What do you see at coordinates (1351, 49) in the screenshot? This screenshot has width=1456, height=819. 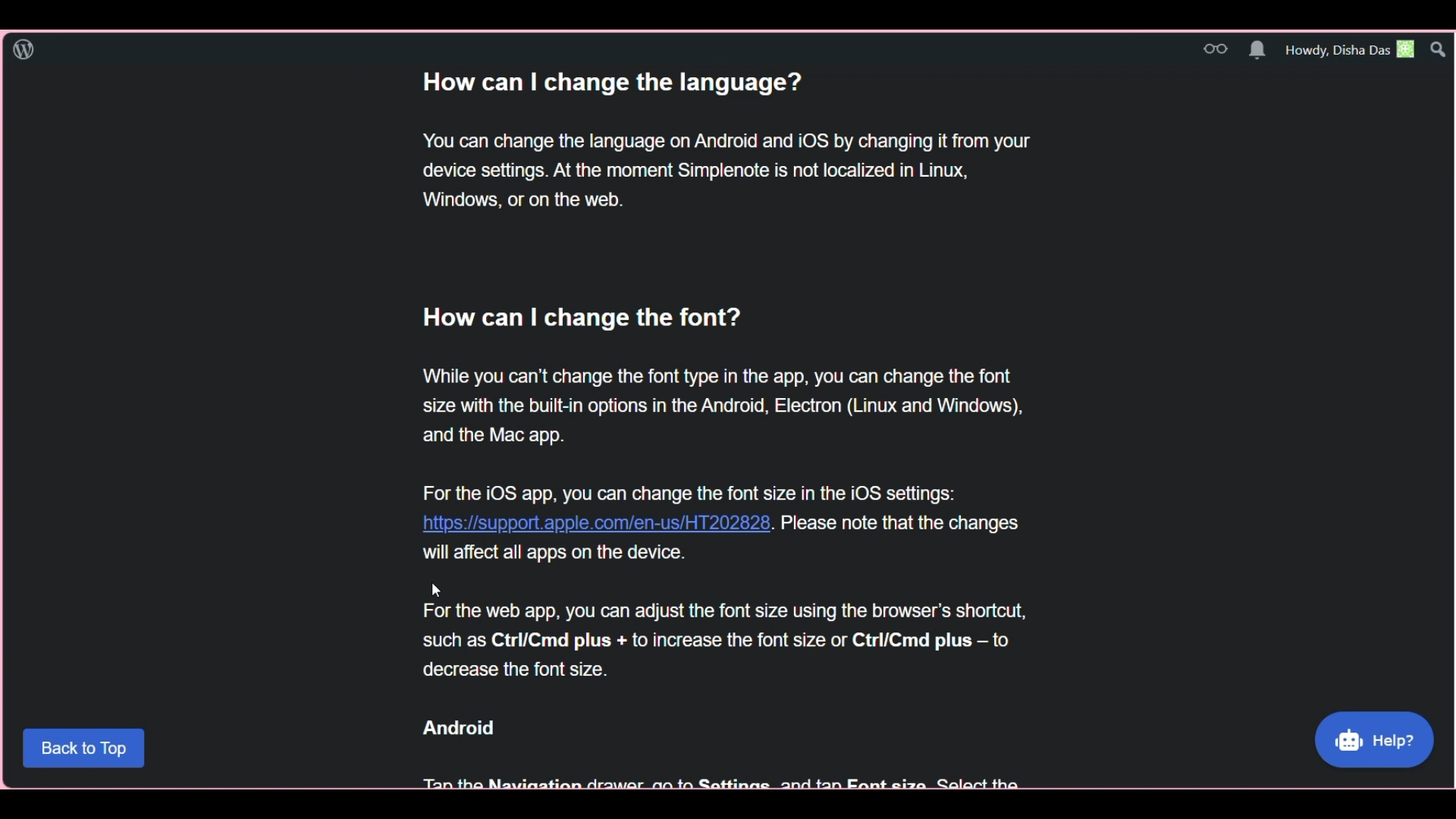 I see `Account greetings and details` at bounding box center [1351, 49].